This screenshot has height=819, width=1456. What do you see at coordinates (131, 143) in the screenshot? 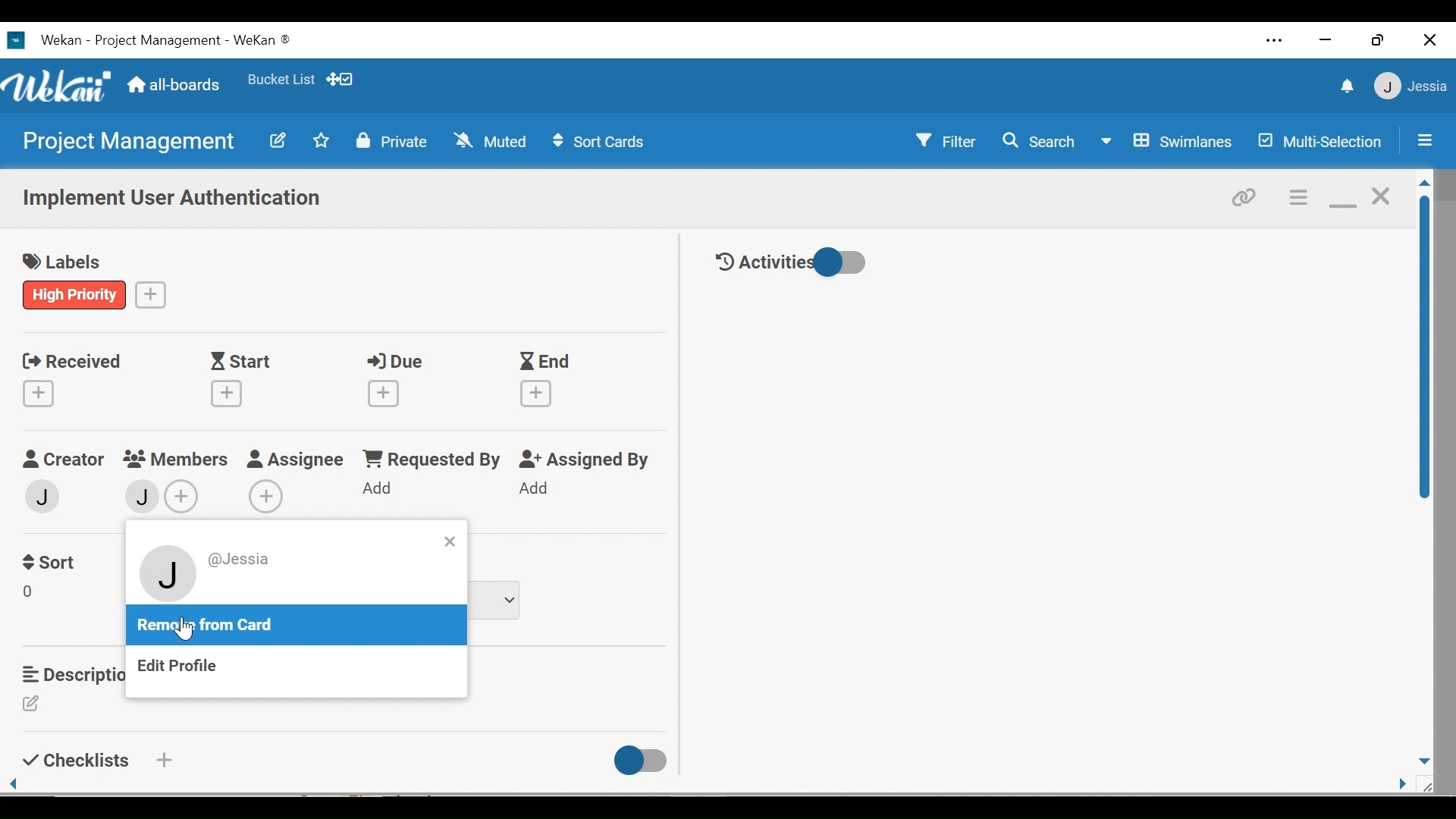
I see `Project Management` at bounding box center [131, 143].